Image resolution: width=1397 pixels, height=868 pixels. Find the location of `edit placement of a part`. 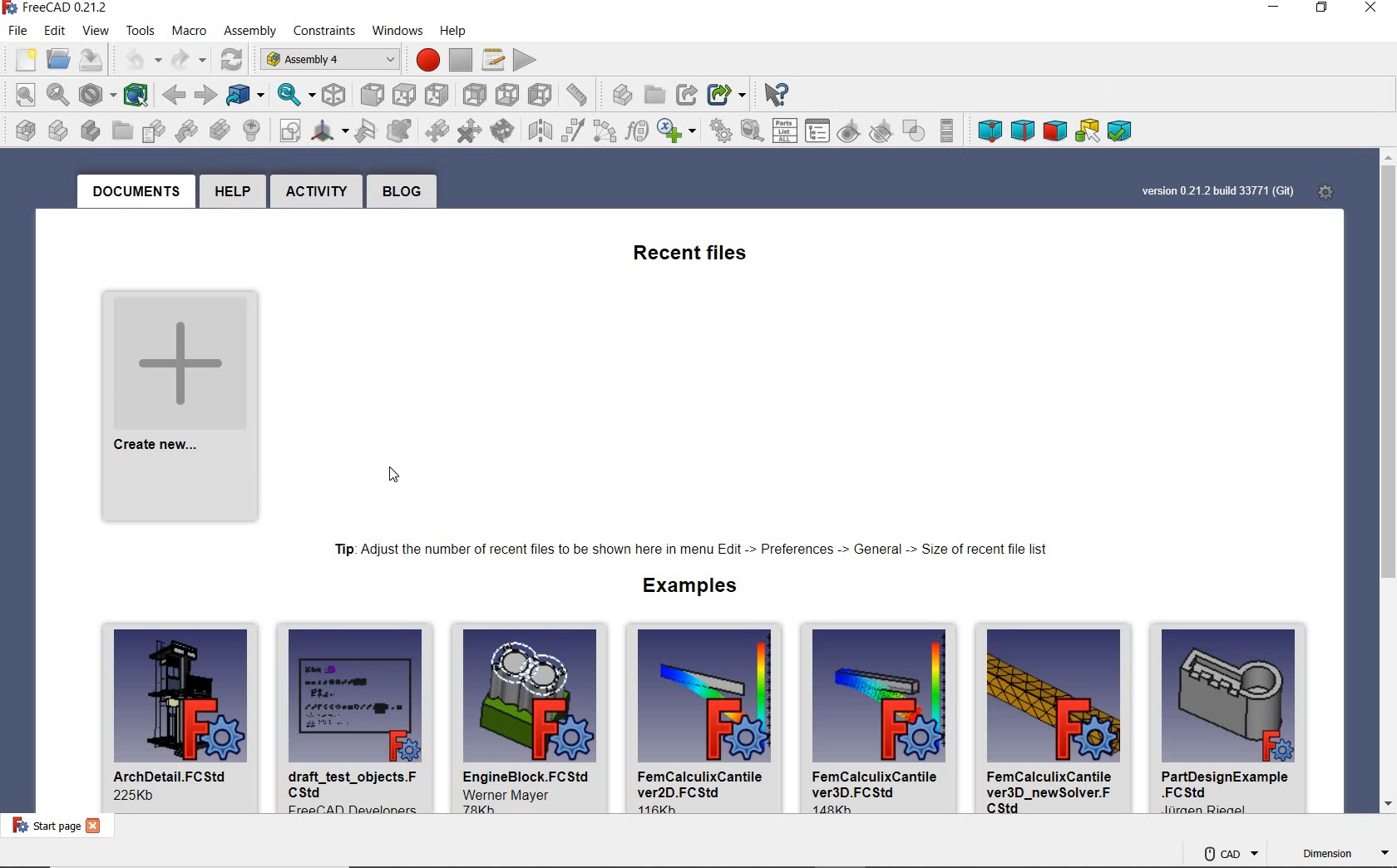

edit placement of a part is located at coordinates (438, 132).